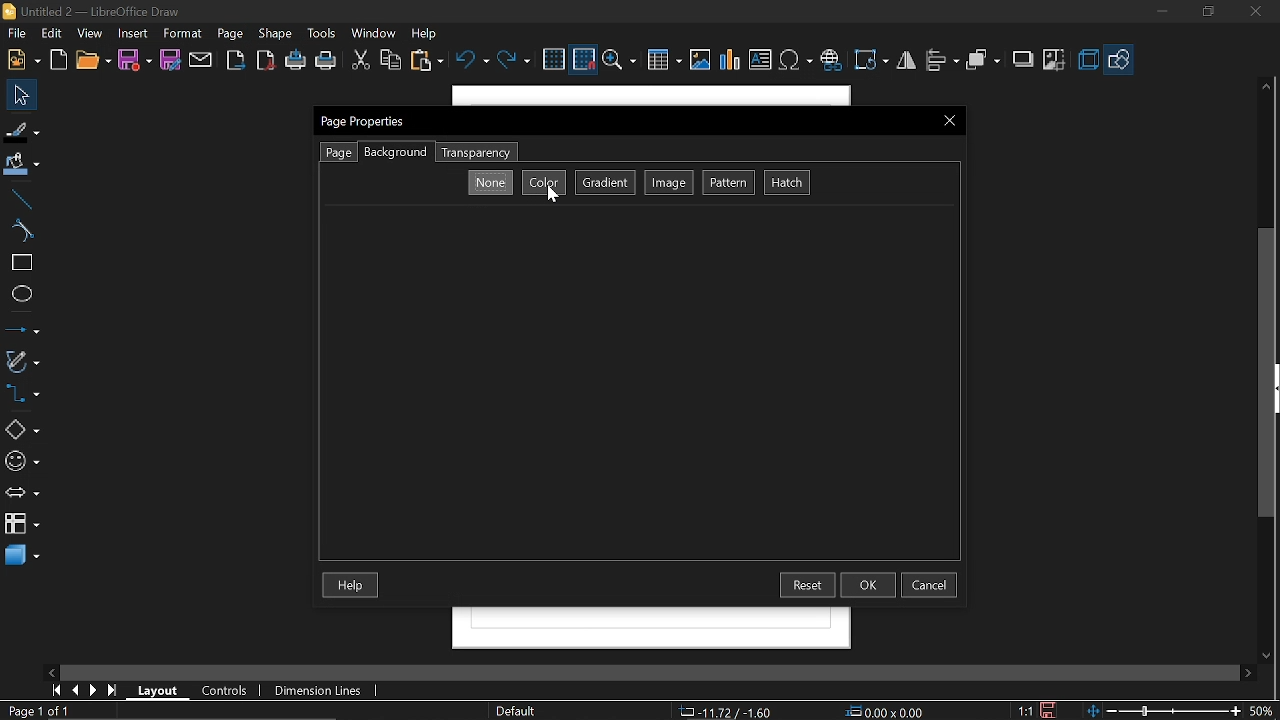 The image size is (1280, 720). I want to click on Help, so click(426, 33).